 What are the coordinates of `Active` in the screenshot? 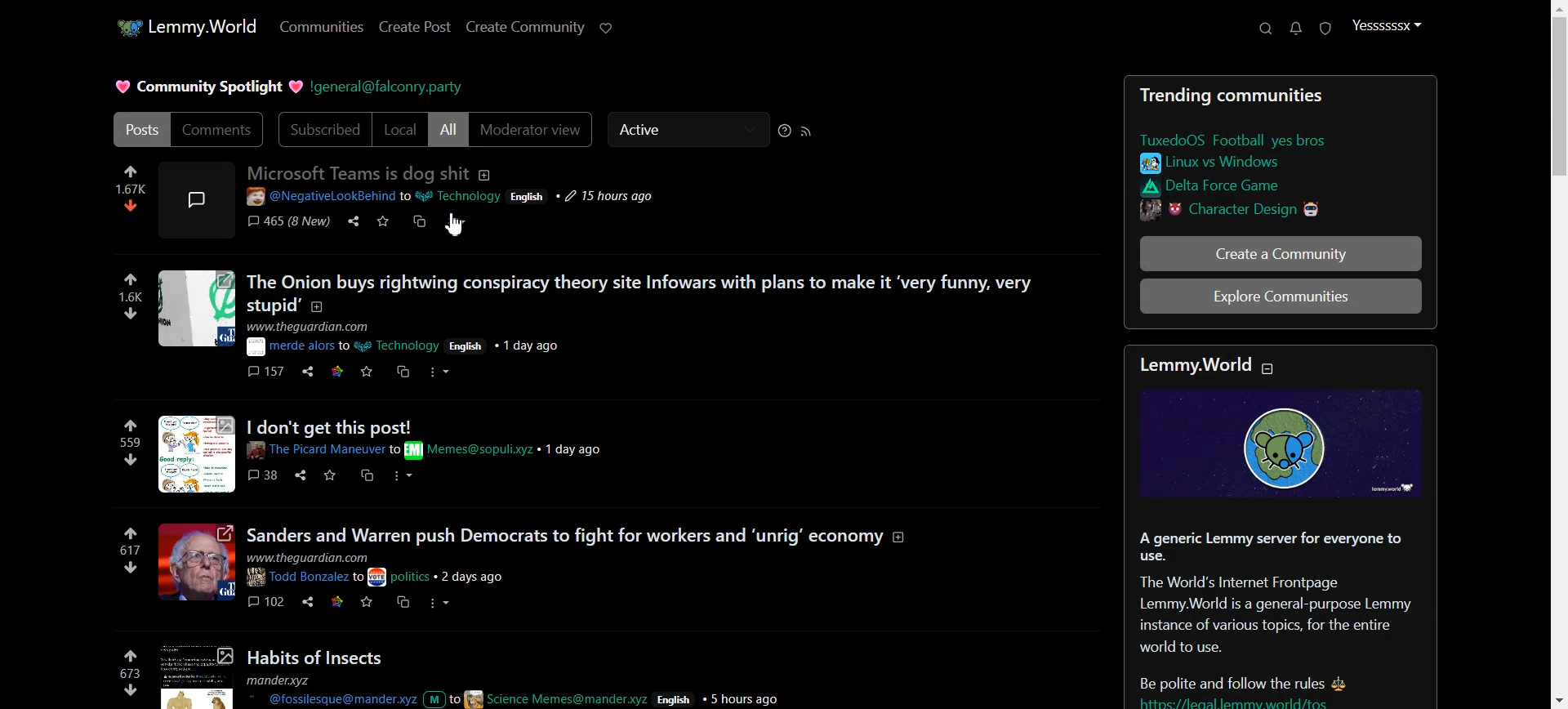 It's located at (687, 130).